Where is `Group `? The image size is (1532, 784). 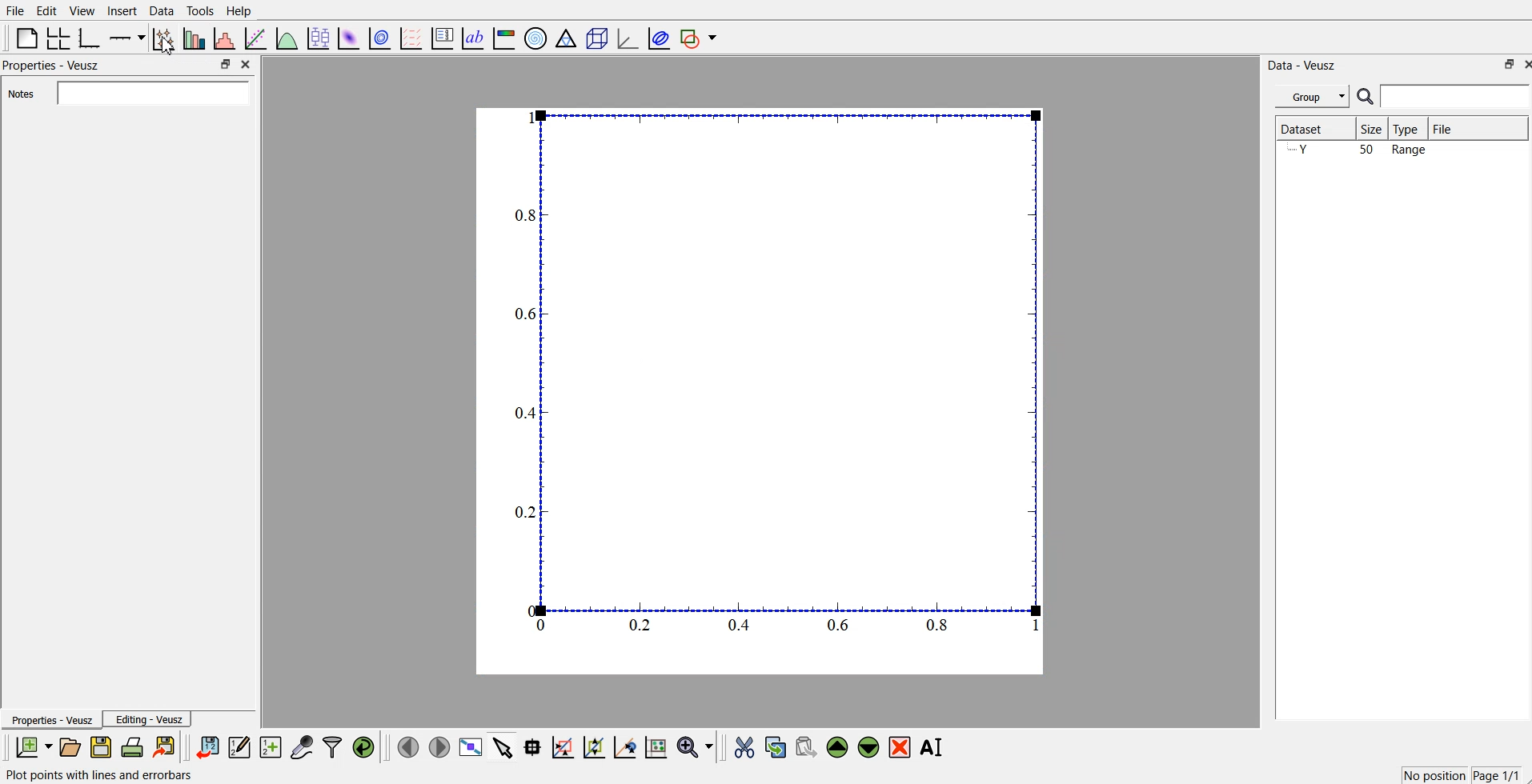 Group  is located at coordinates (1313, 96).